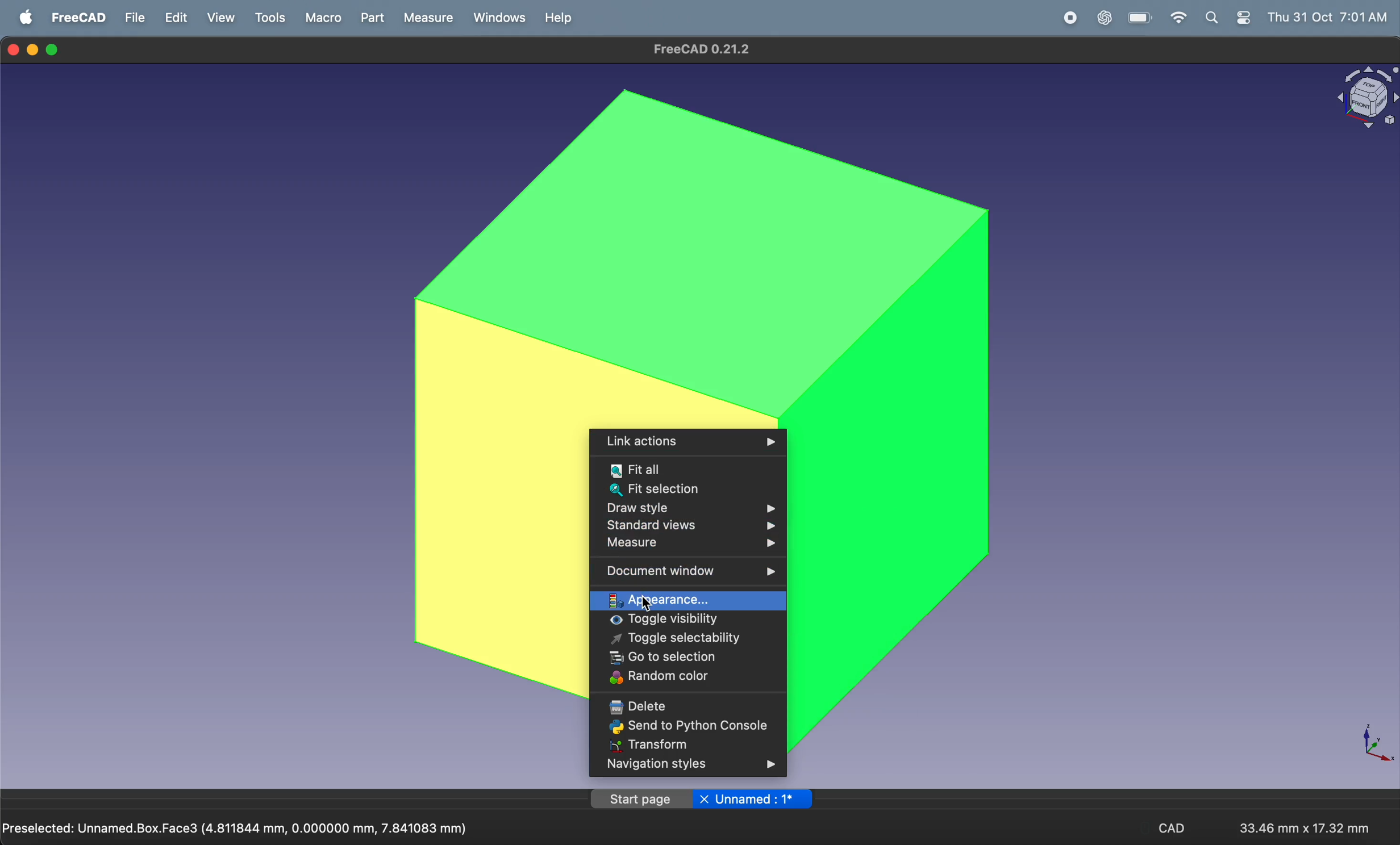 The image size is (1400, 845). Describe the element at coordinates (686, 508) in the screenshot. I see `draw style` at that location.